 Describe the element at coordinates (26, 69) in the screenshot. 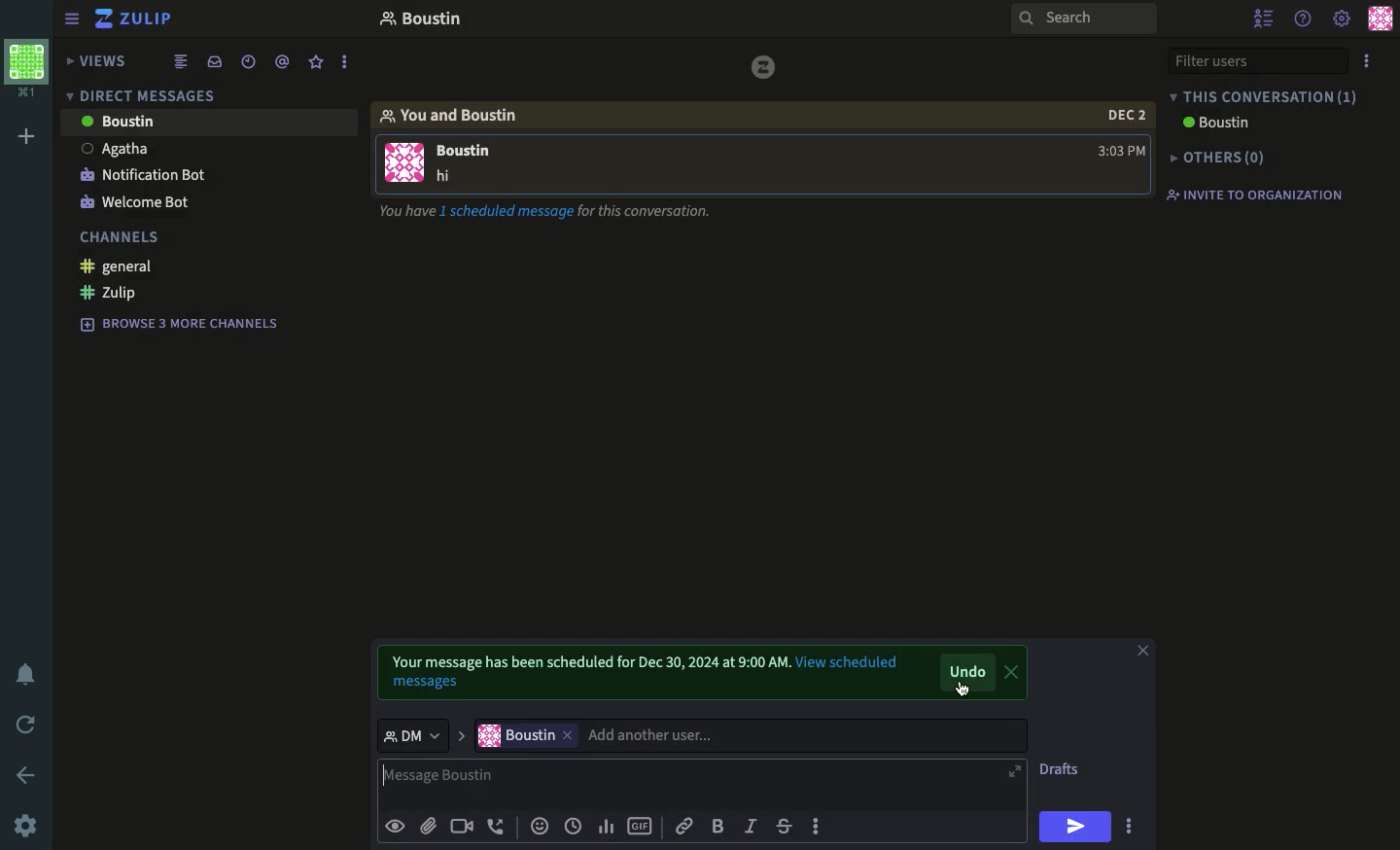

I see `workspace` at that location.